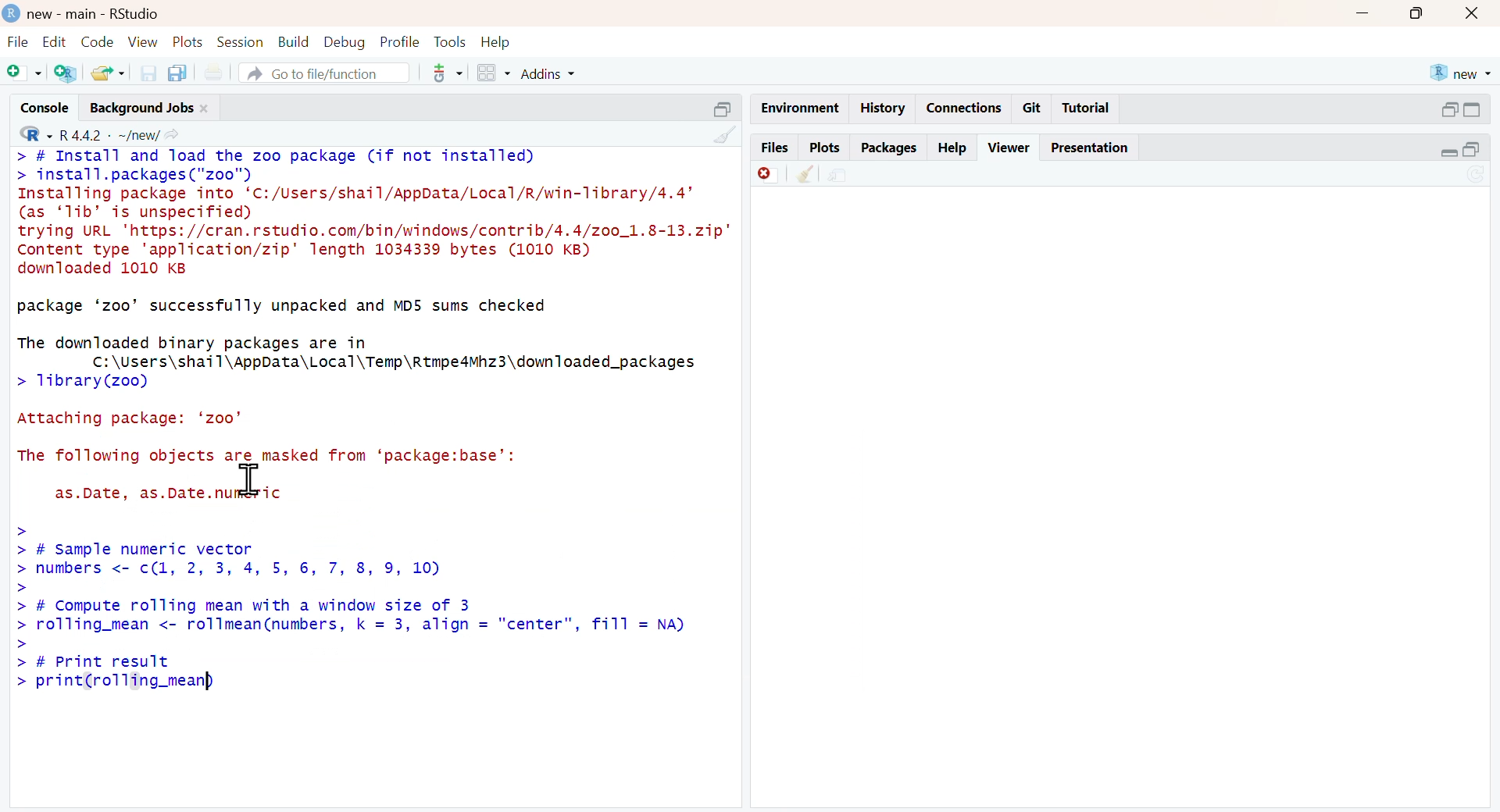 This screenshot has height=812, width=1500. What do you see at coordinates (11, 15) in the screenshot?
I see `logo` at bounding box center [11, 15].